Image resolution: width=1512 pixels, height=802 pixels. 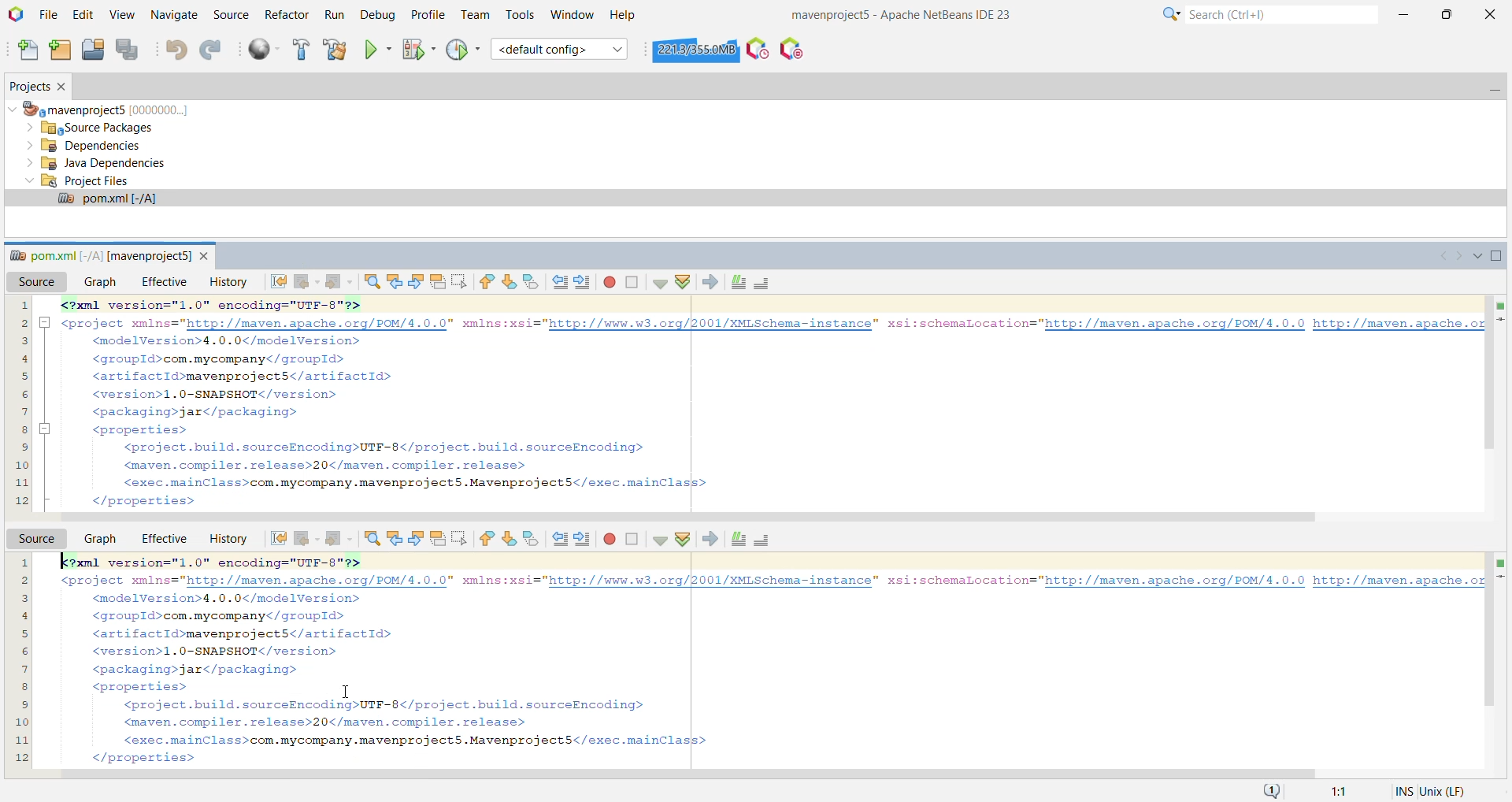 What do you see at coordinates (104, 108) in the screenshot?
I see `mavenproject5` at bounding box center [104, 108].